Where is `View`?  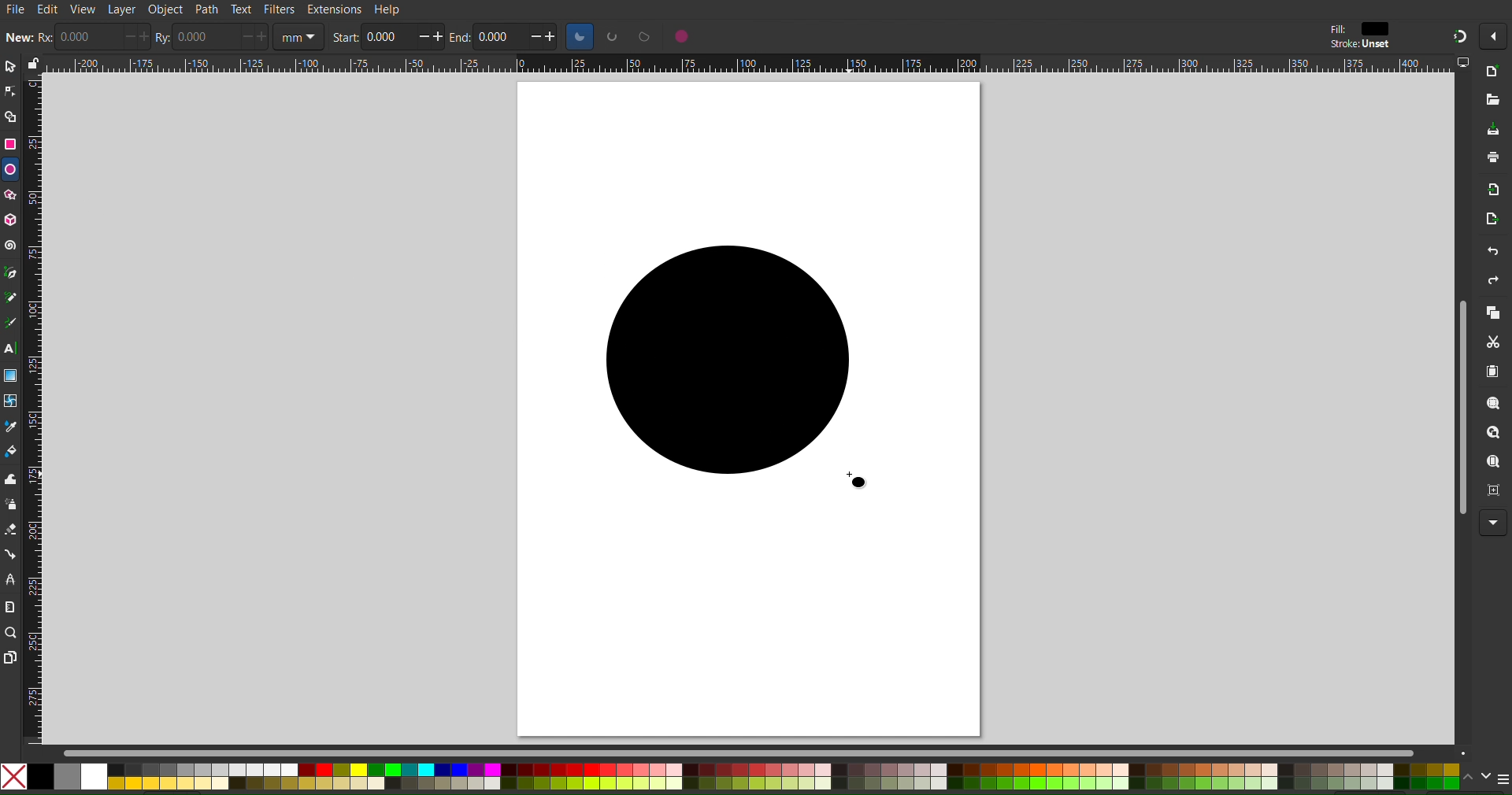
View is located at coordinates (83, 11).